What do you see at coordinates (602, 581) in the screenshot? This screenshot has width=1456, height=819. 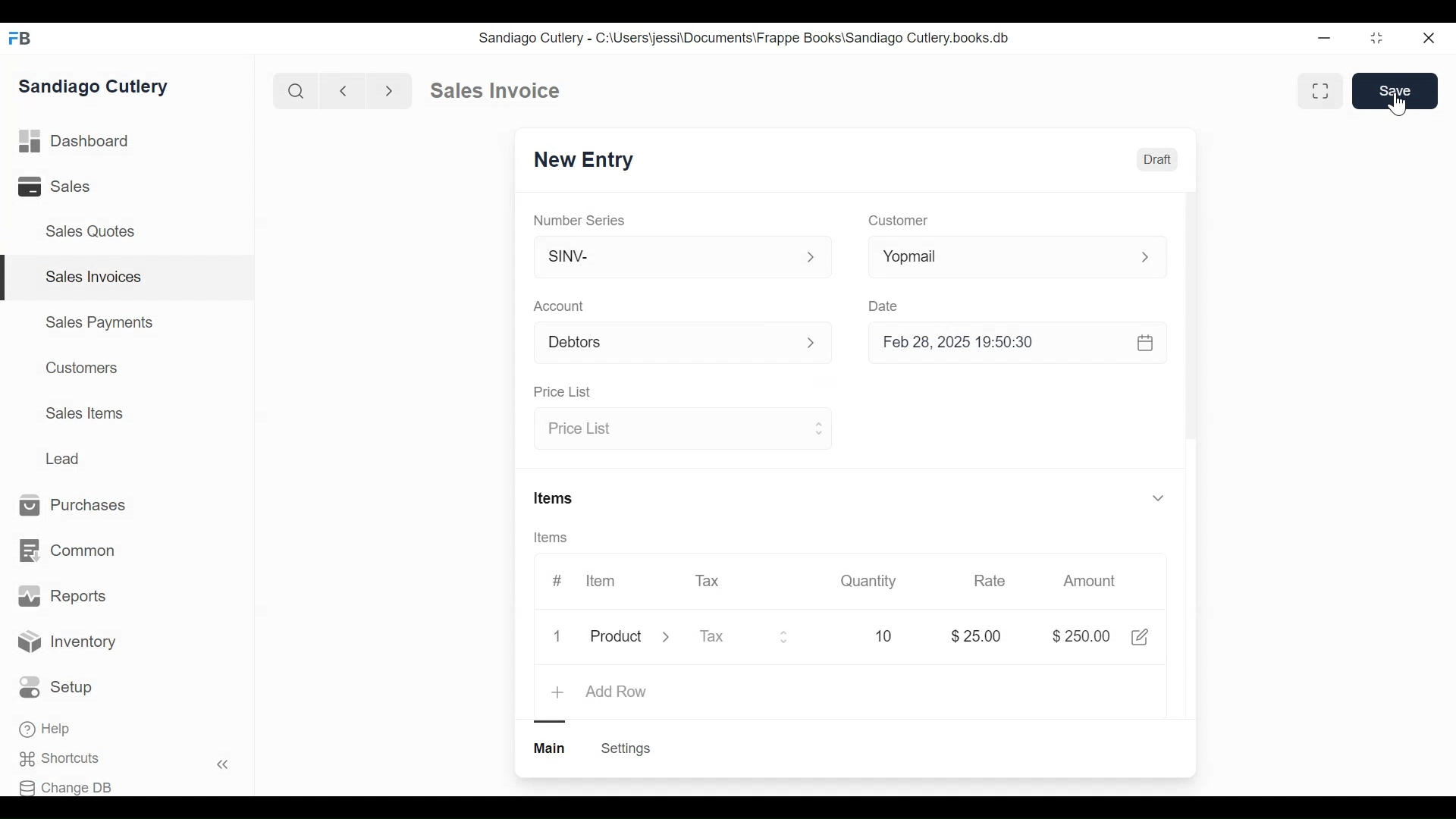 I see `Item` at bounding box center [602, 581].